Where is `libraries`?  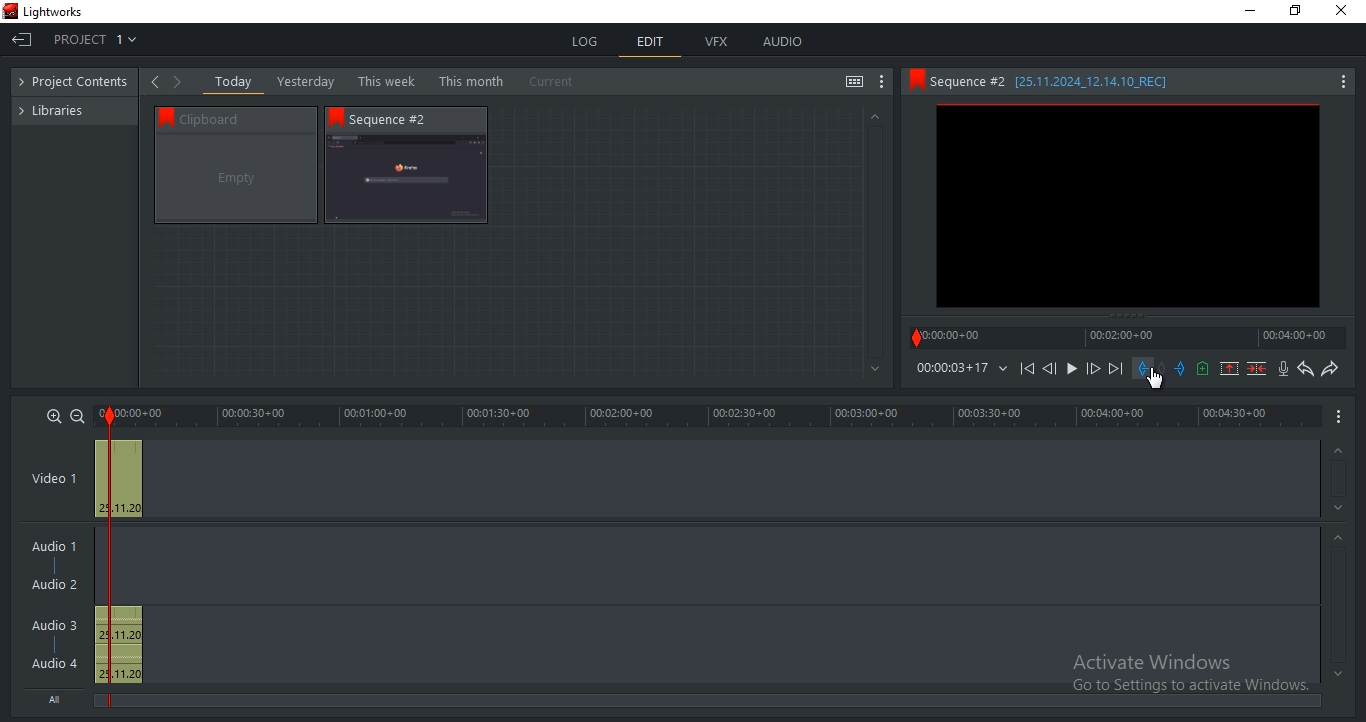
libraries is located at coordinates (61, 109).